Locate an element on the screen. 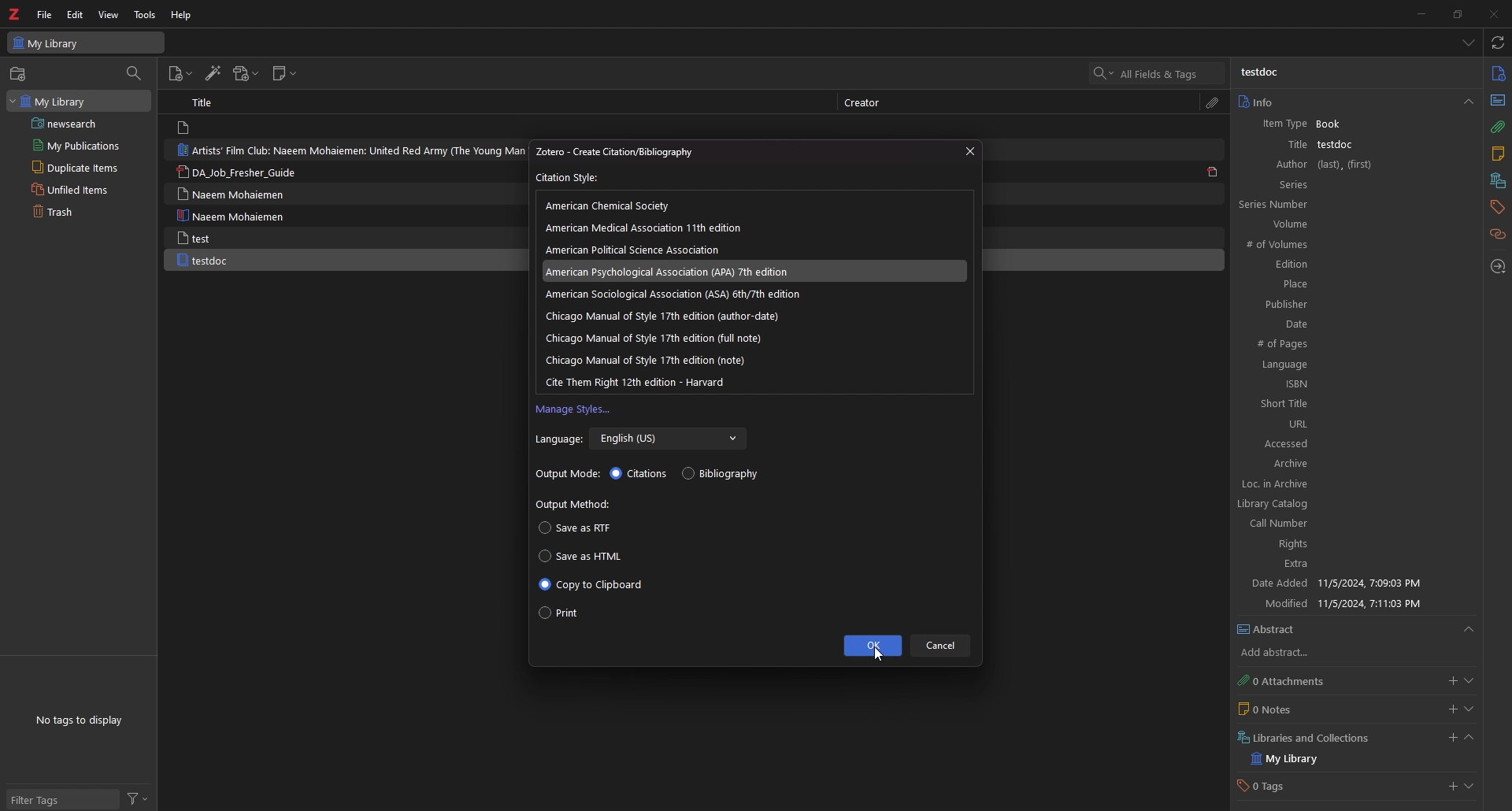  add abstract is located at coordinates (1288, 654).